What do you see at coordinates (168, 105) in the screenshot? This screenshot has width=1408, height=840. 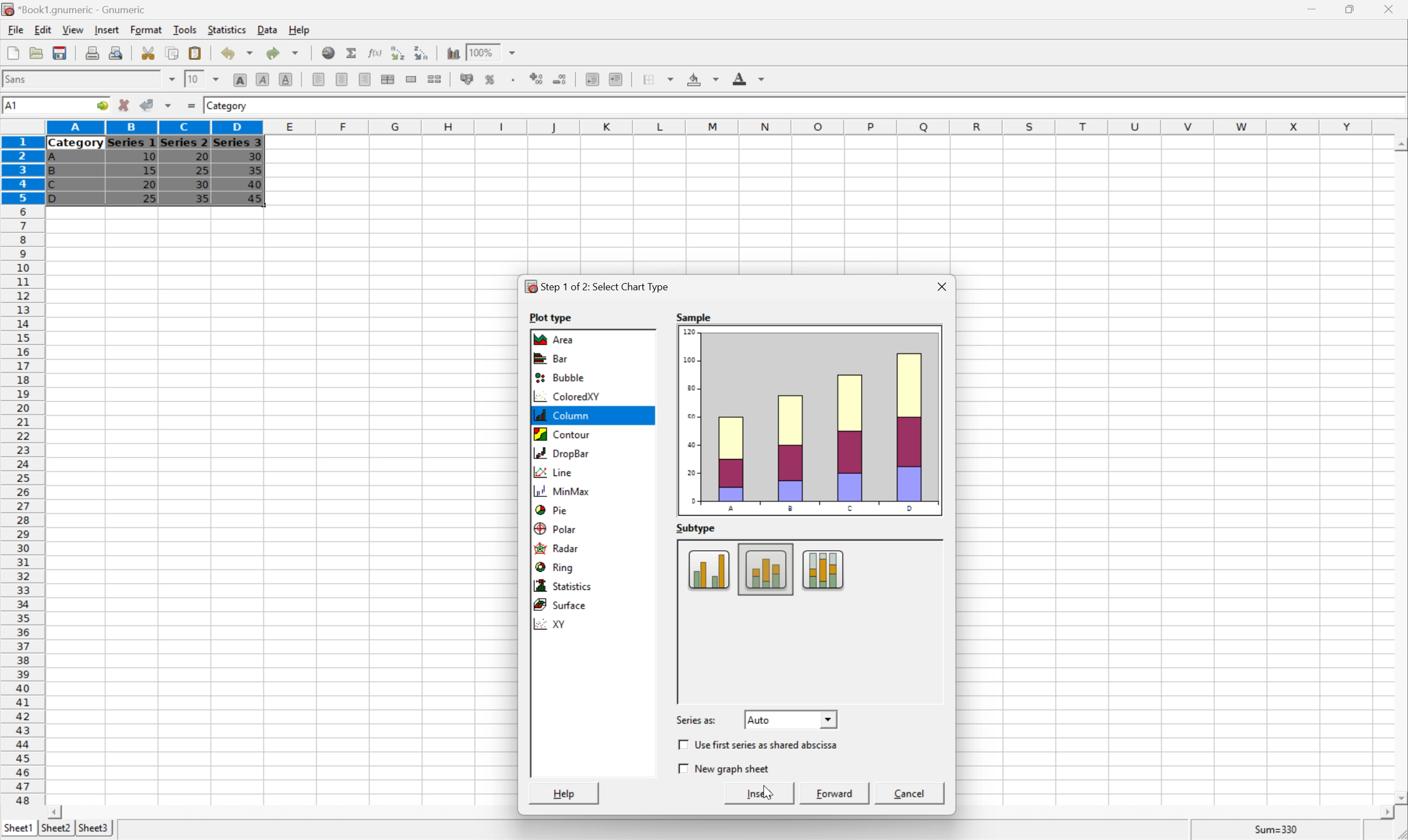 I see `Accept changes in multiple cells` at bounding box center [168, 105].